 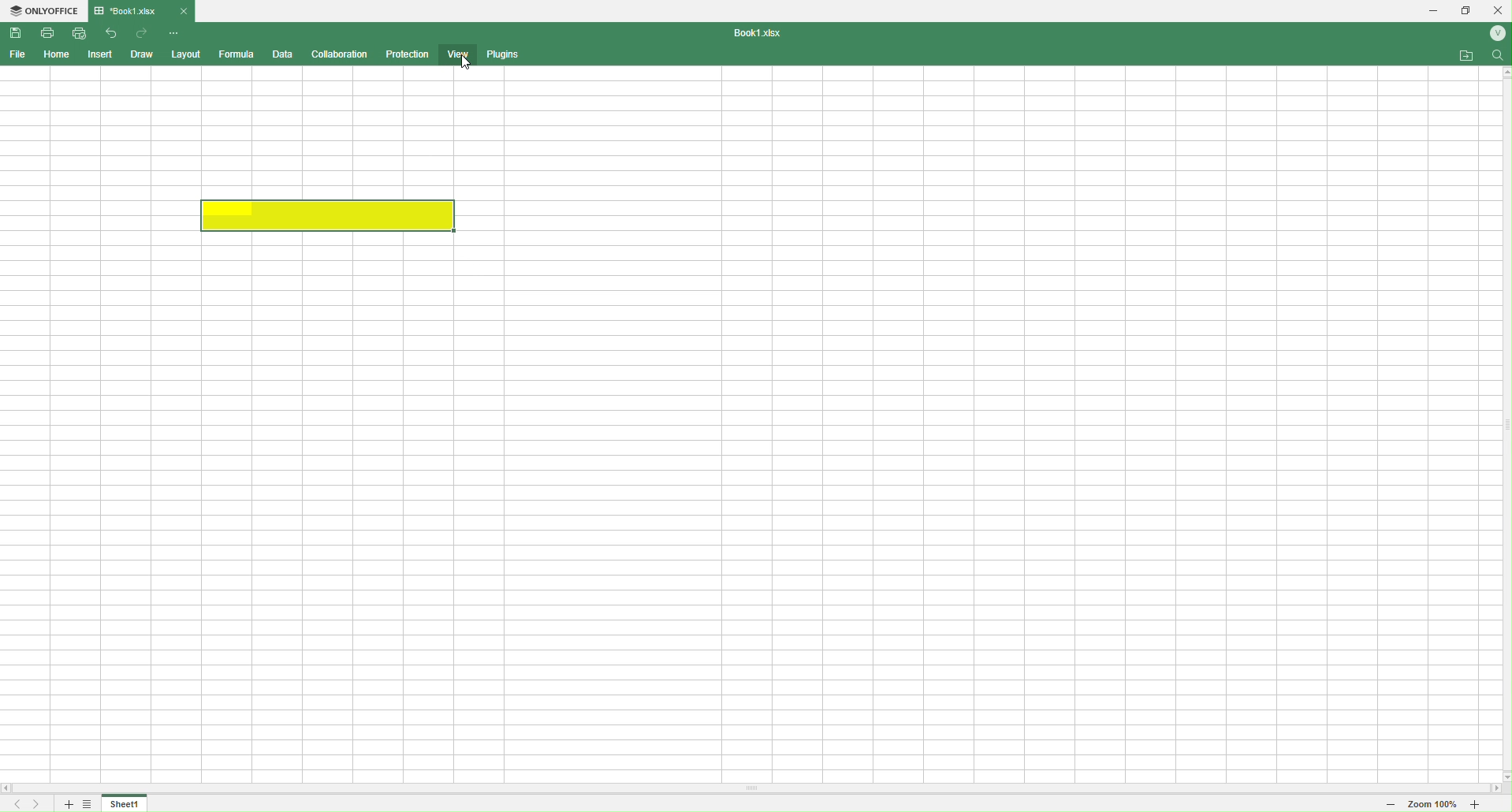 I want to click on List of sheets, so click(x=91, y=804).